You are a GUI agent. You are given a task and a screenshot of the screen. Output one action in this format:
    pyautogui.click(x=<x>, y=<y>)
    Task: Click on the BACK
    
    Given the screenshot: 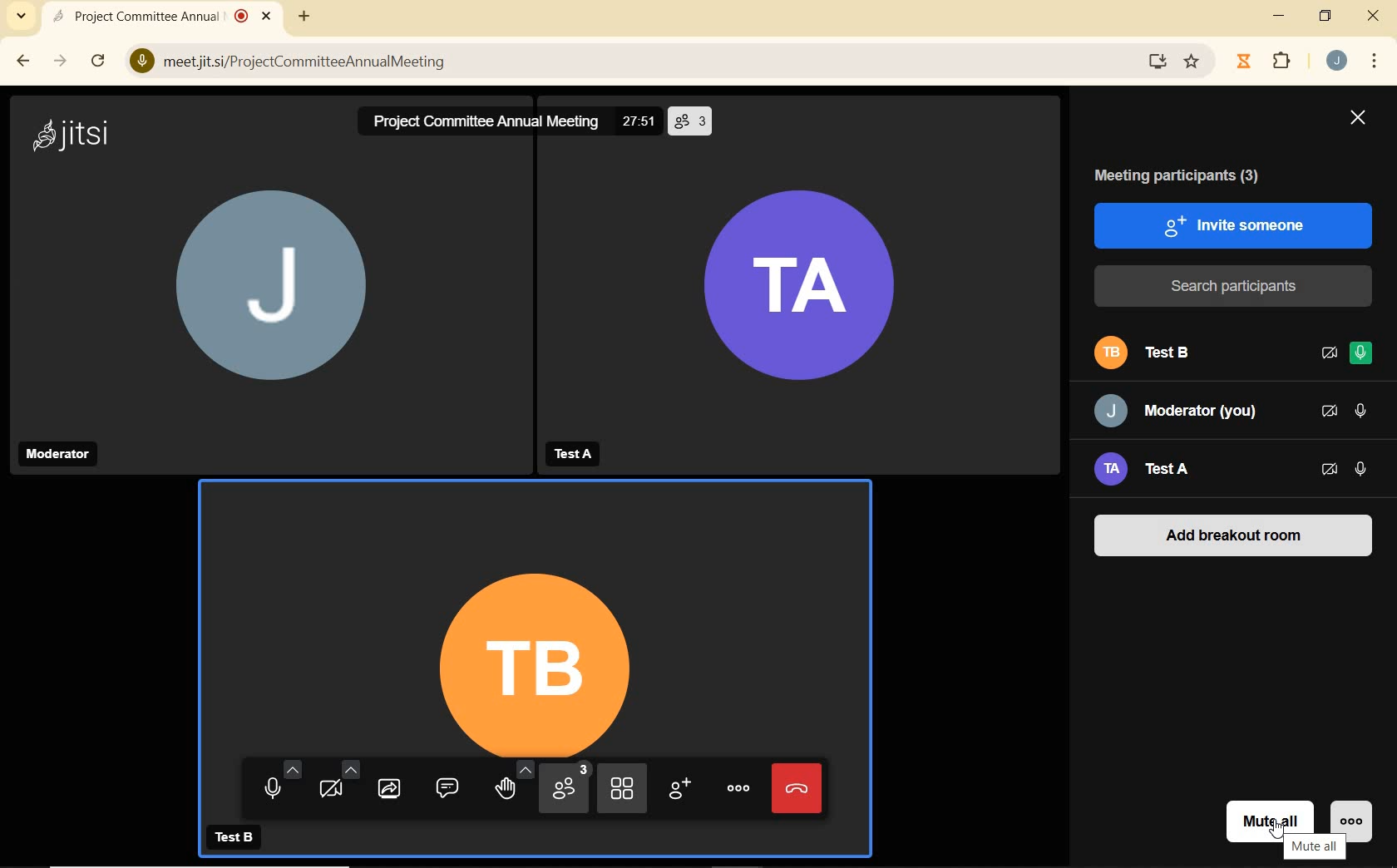 What is the action you would take?
    pyautogui.click(x=24, y=62)
    